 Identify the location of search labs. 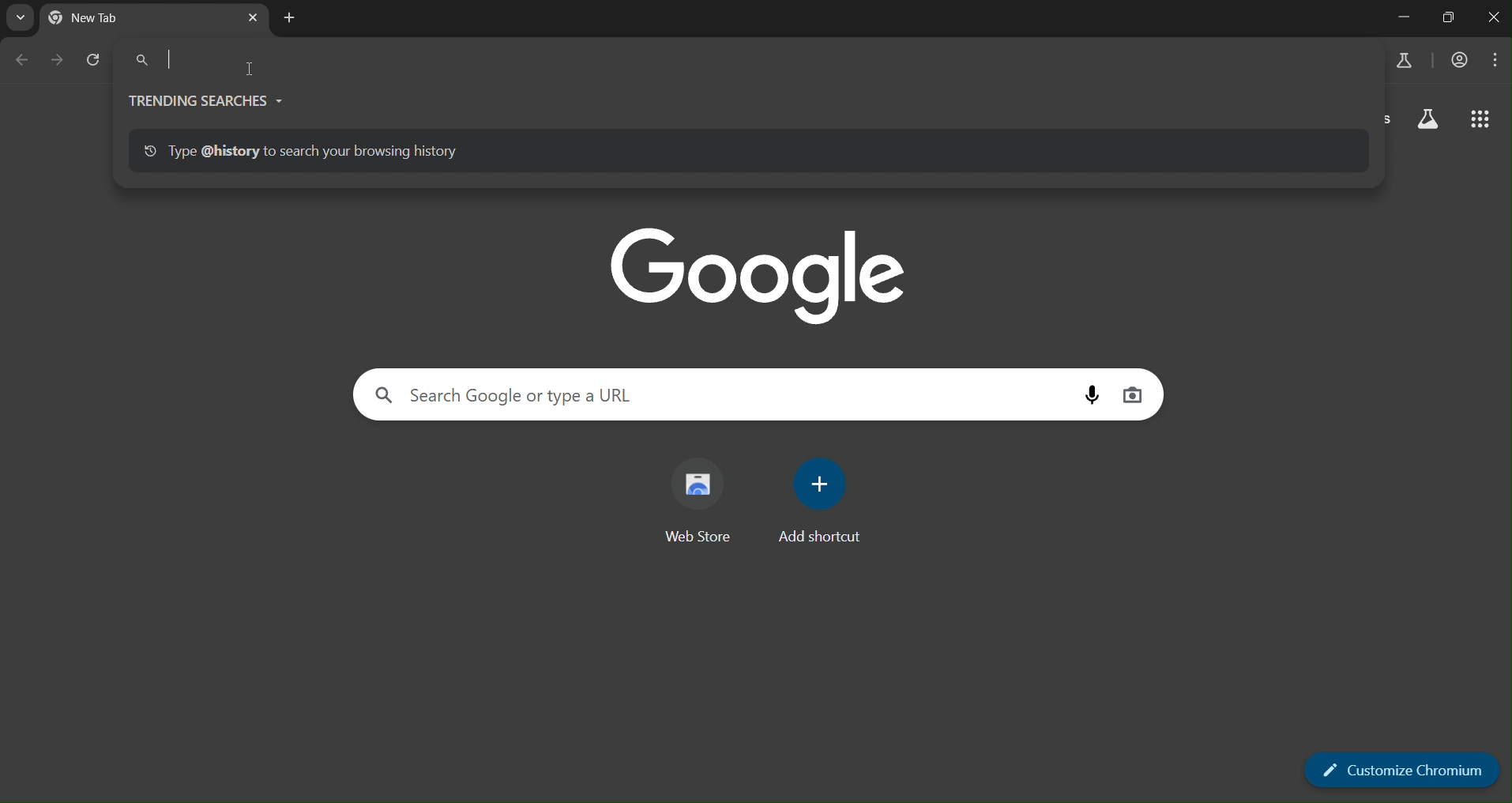
(1430, 122).